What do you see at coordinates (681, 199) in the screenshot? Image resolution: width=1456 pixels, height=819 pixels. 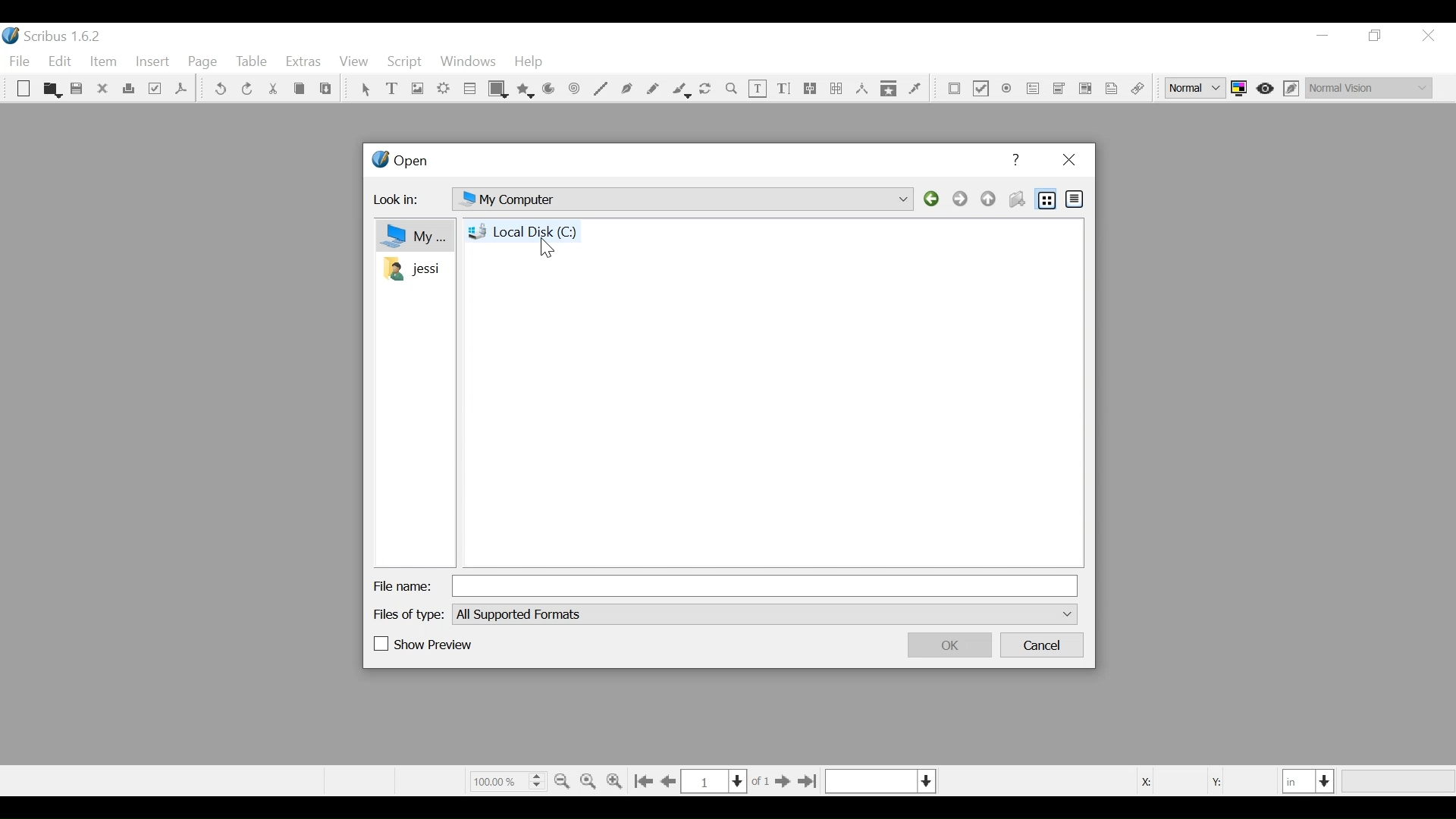 I see `Path` at bounding box center [681, 199].